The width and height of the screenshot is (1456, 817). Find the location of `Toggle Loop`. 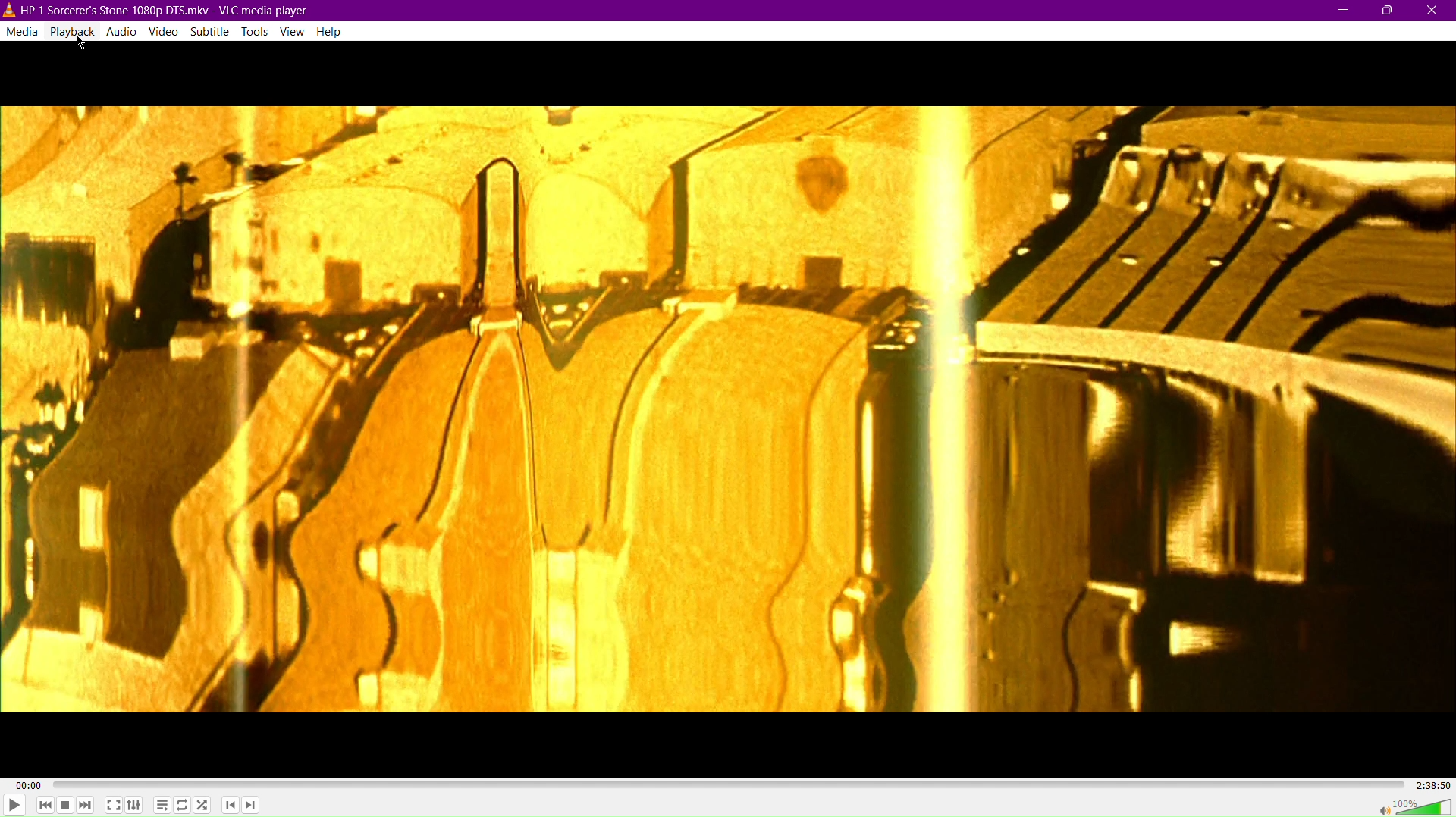

Toggle Loop is located at coordinates (183, 805).